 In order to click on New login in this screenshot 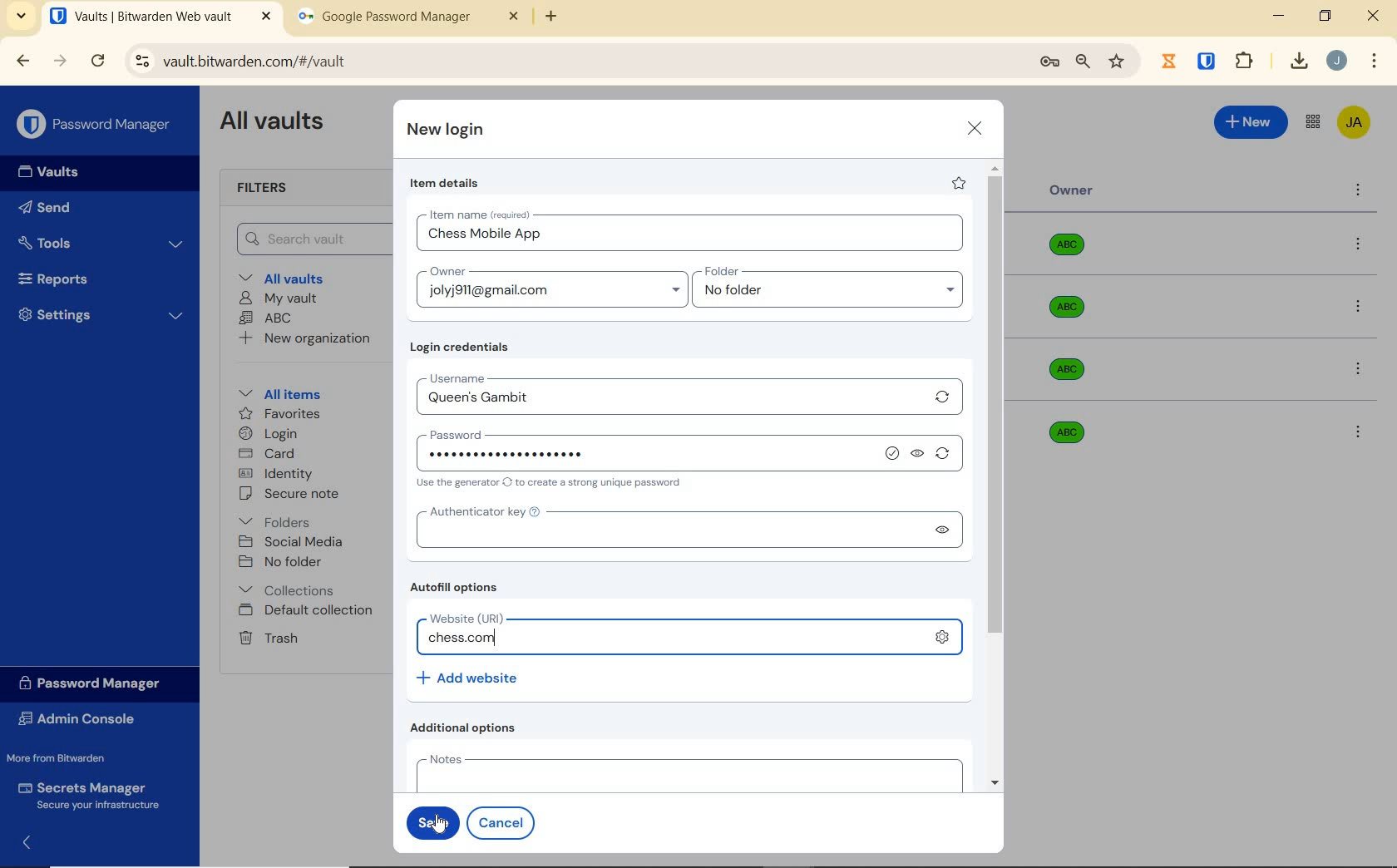, I will do `click(447, 131)`.